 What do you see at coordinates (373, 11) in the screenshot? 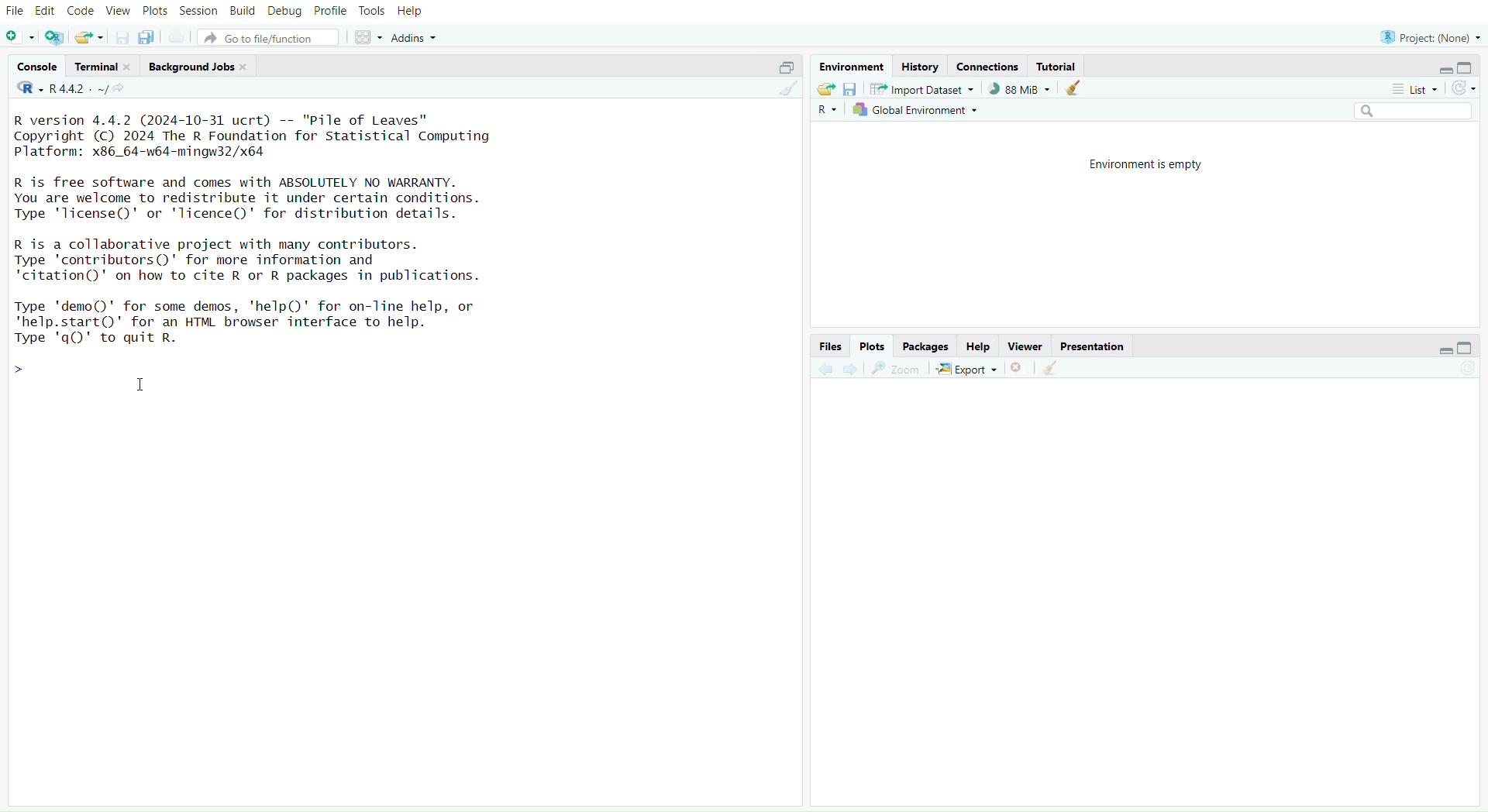
I see `tools` at bounding box center [373, 11].